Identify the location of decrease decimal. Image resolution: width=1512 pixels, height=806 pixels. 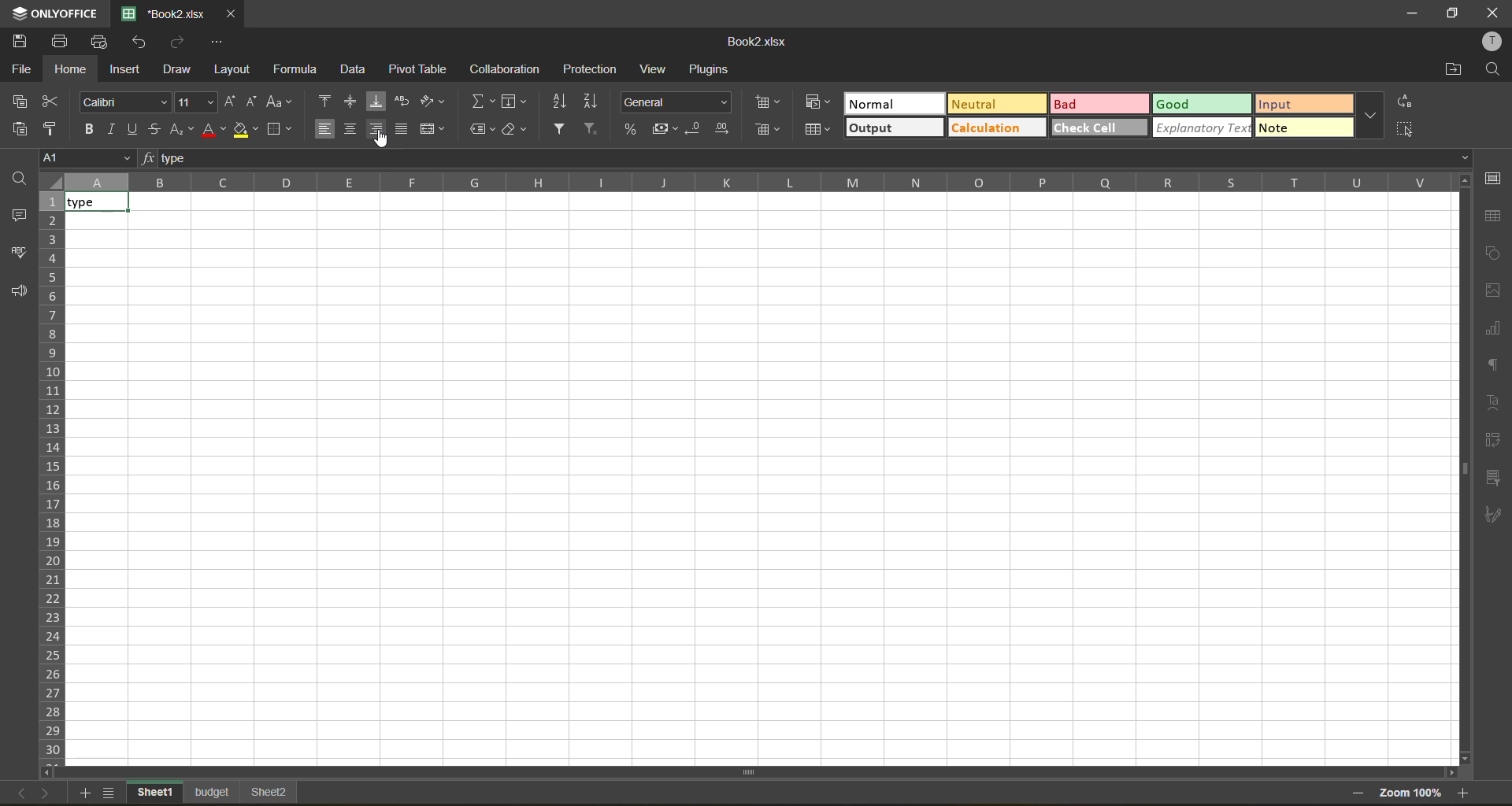
(699, 125).